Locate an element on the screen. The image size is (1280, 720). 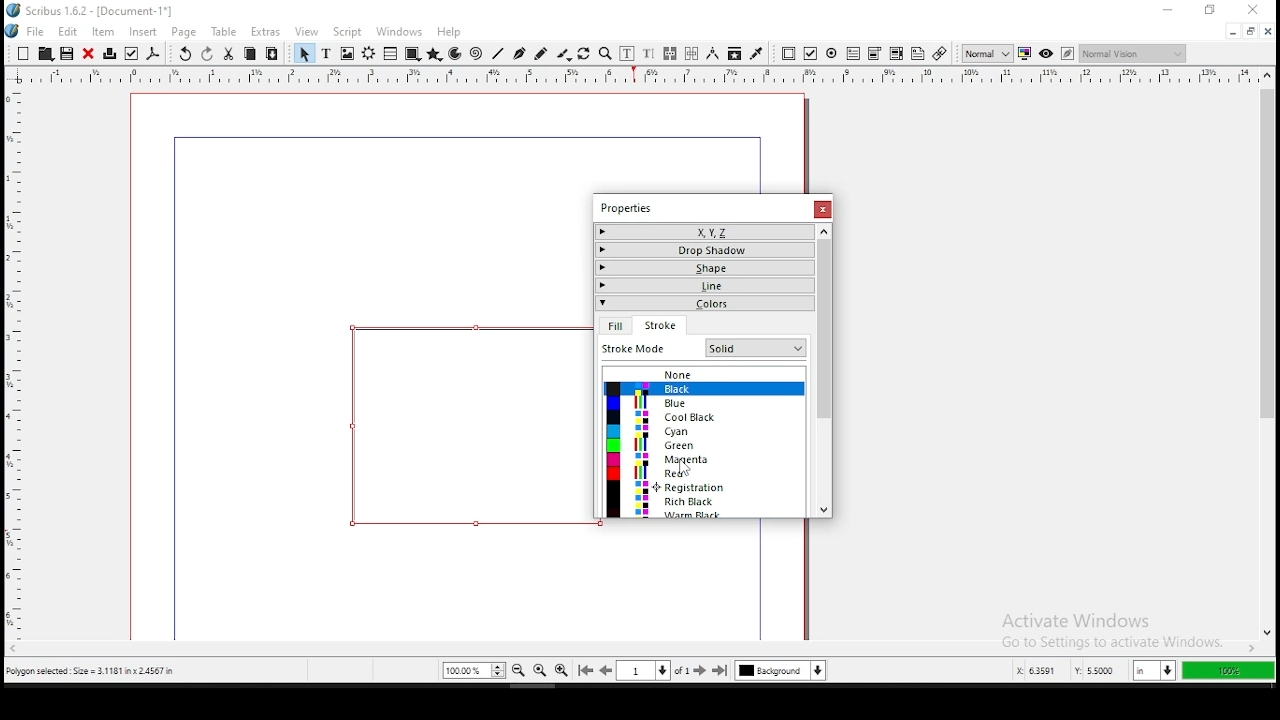
pdf list box is located at coordinates (876, 55).